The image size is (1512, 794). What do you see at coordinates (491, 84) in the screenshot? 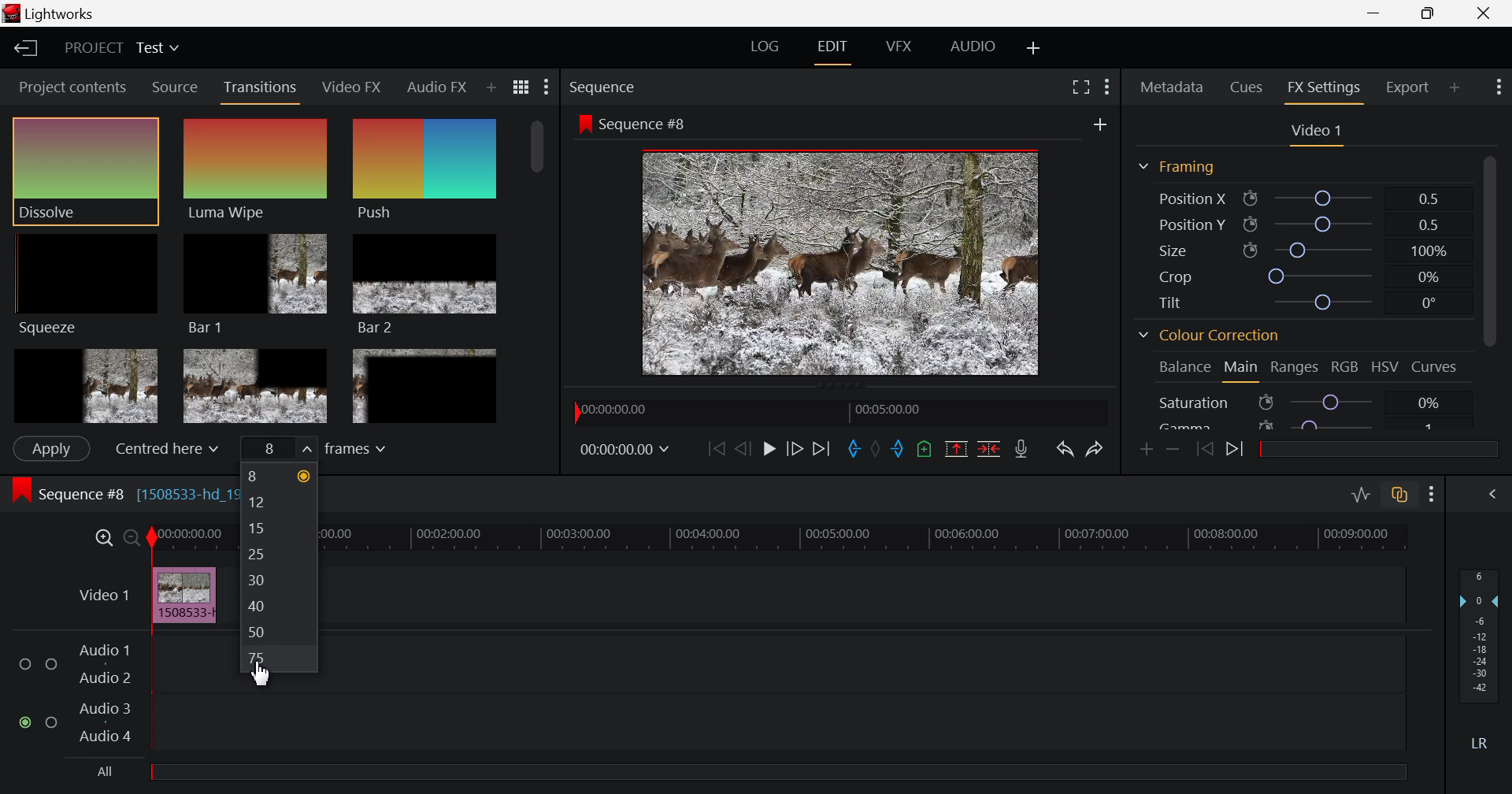
I see `Add Panel` at bounding box center [491, 84].